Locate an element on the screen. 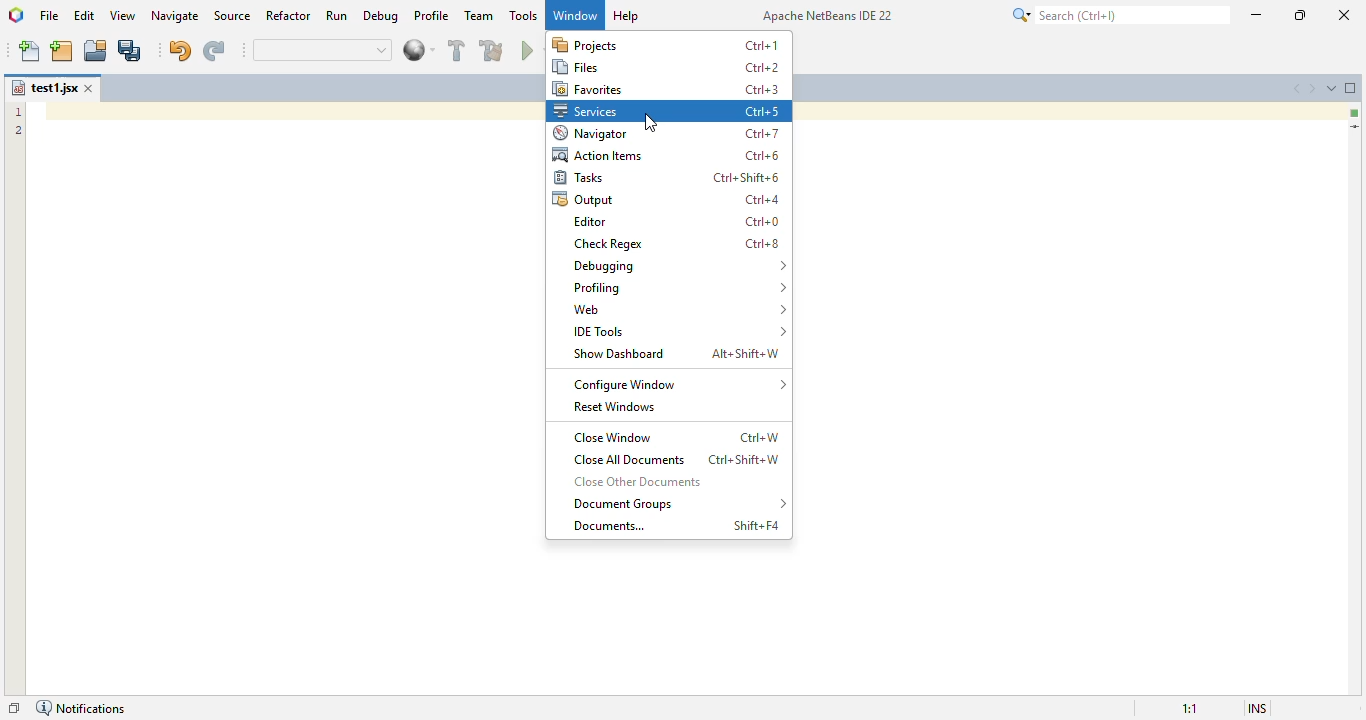 This screenshot has width=1366, height=720. output is located at coordinates (583, 199).